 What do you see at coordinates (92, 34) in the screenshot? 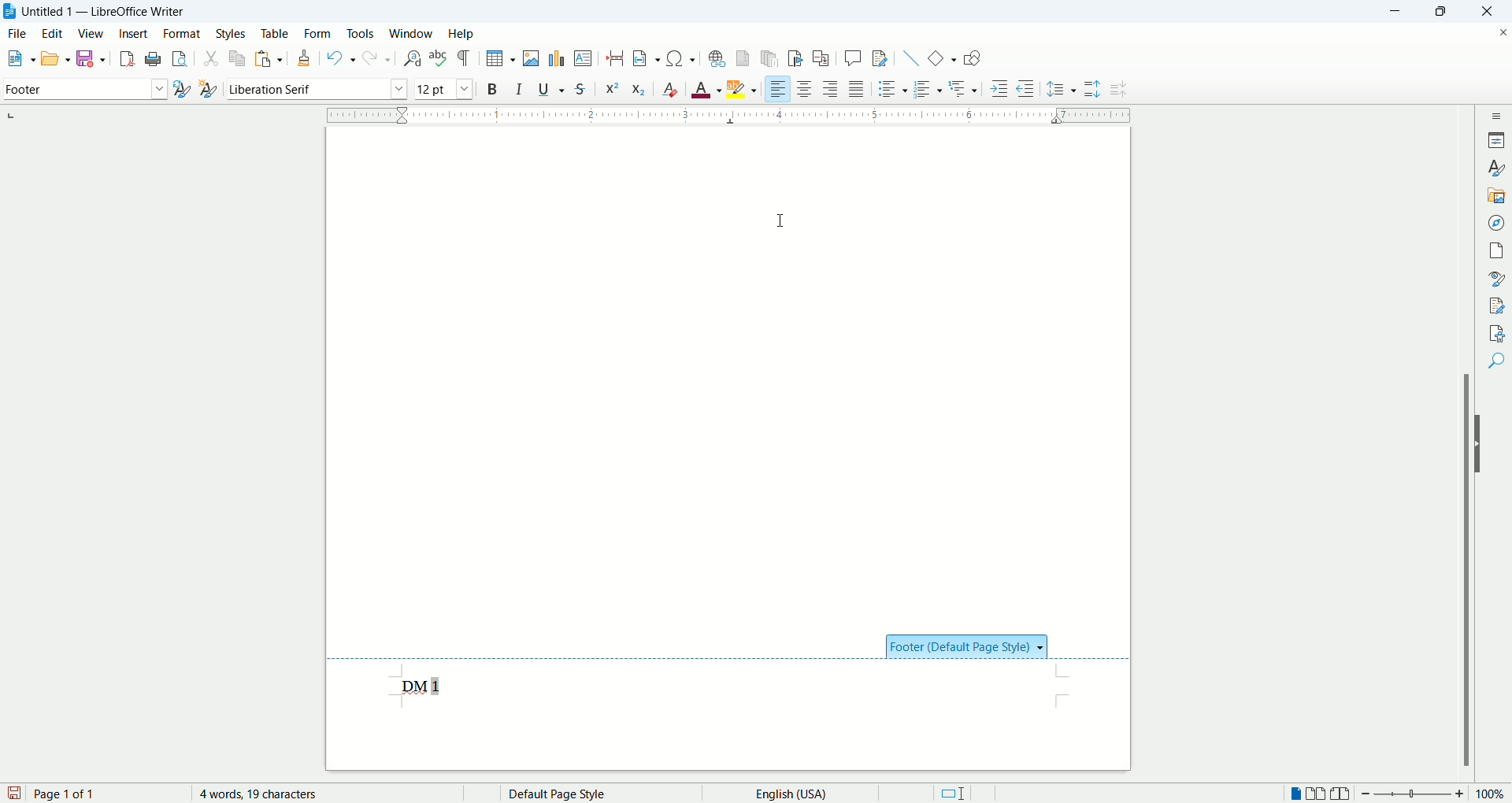
I see `view` at bounding box center [92, 34].